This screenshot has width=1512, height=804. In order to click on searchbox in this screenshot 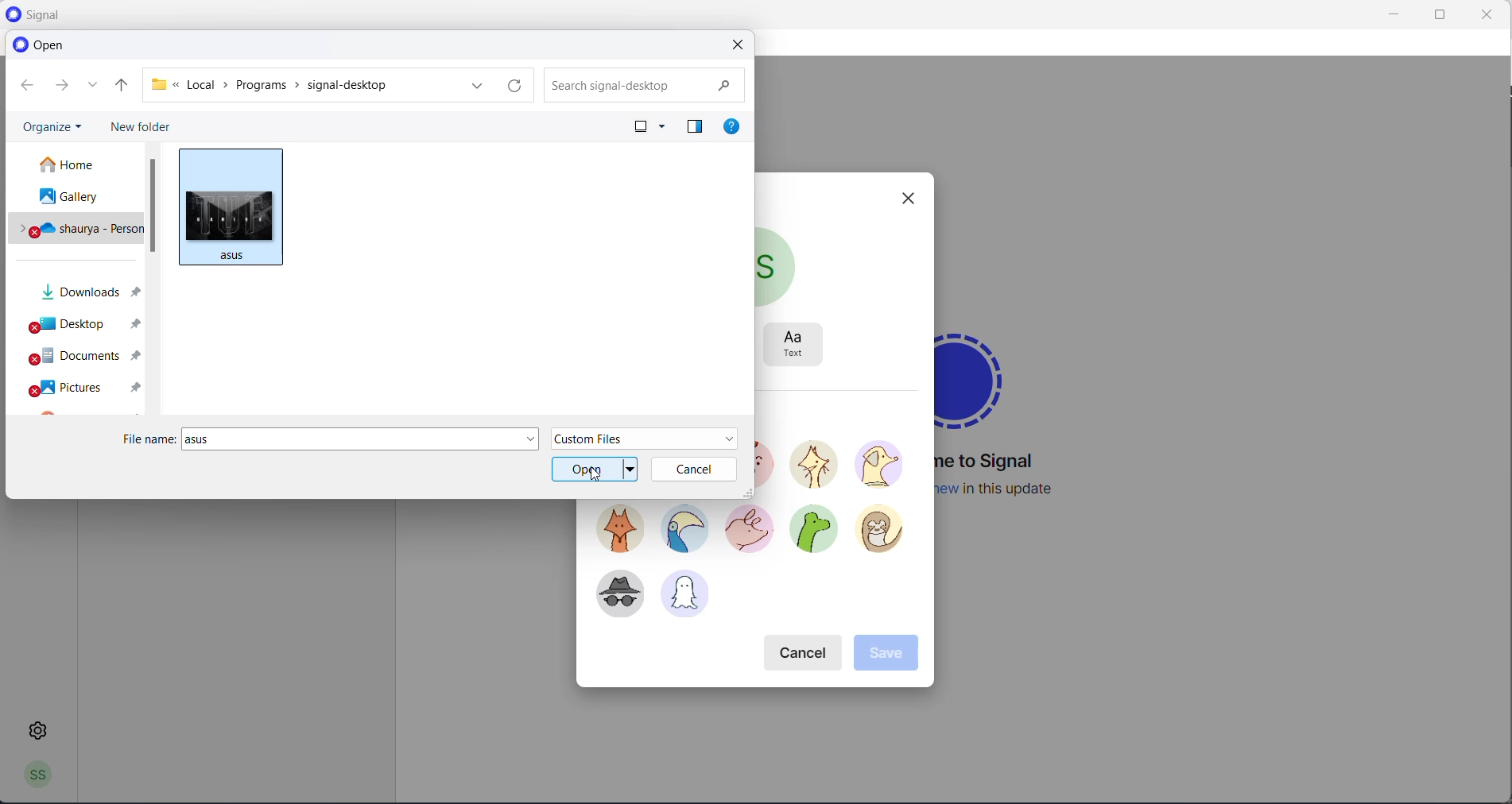, I will do `click(643, 88)`.